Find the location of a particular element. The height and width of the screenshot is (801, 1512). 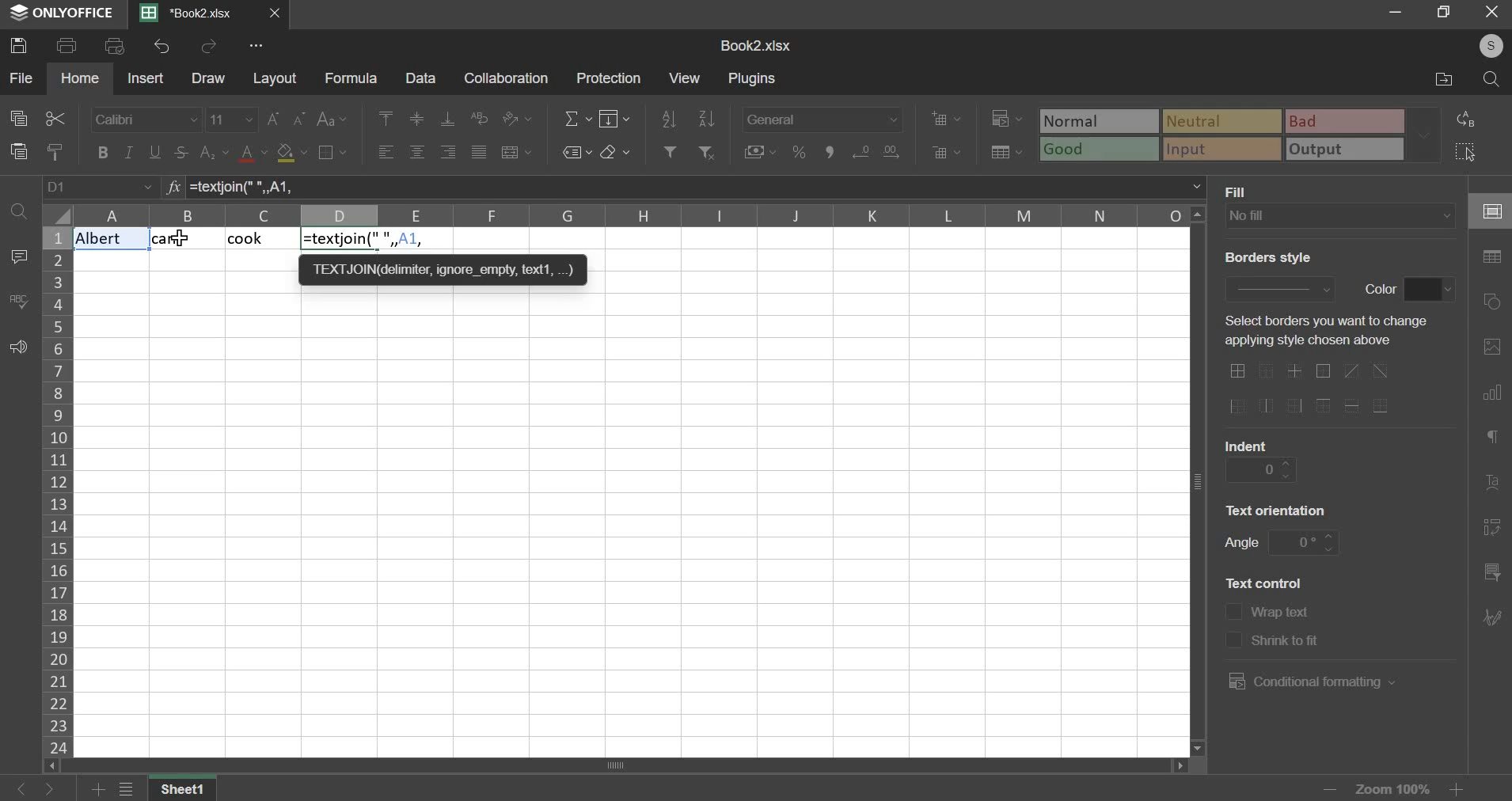

minimize is located at coordinates (1396, 11).